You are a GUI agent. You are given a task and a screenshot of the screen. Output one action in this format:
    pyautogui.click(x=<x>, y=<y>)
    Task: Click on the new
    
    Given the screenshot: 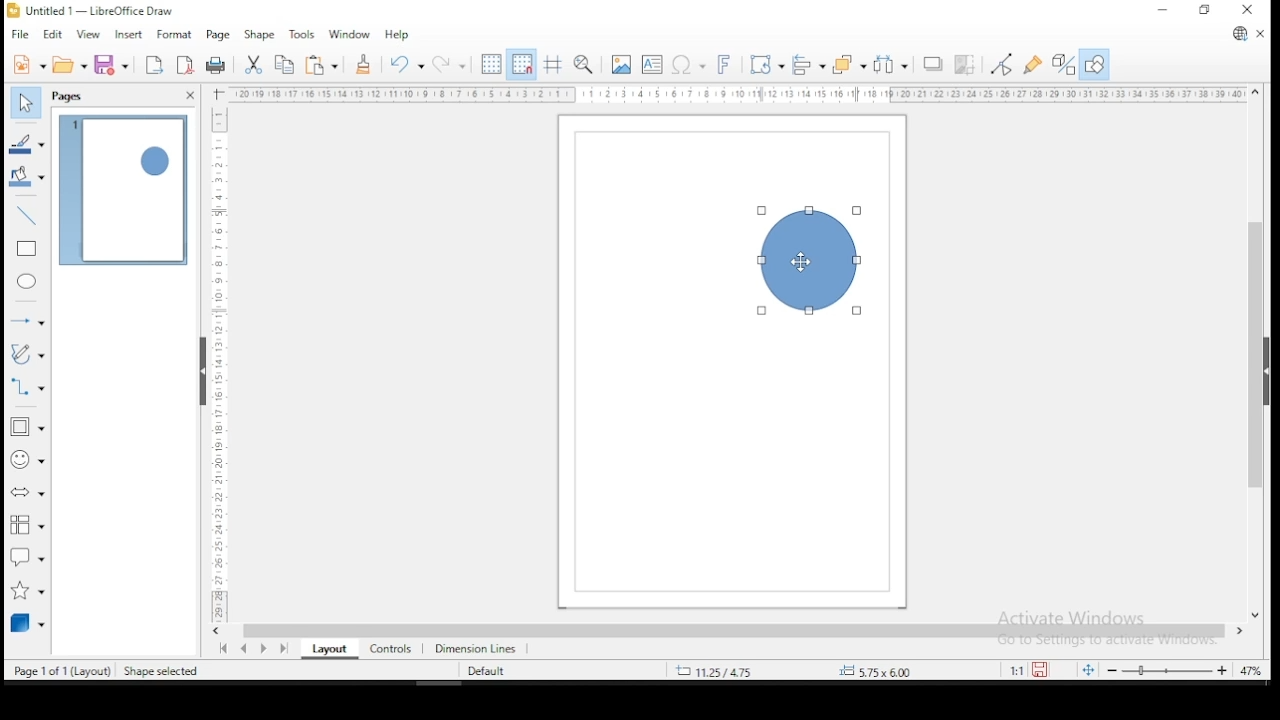 What is the action you would take?
    pyautogui.click(x=28, y=64)
    